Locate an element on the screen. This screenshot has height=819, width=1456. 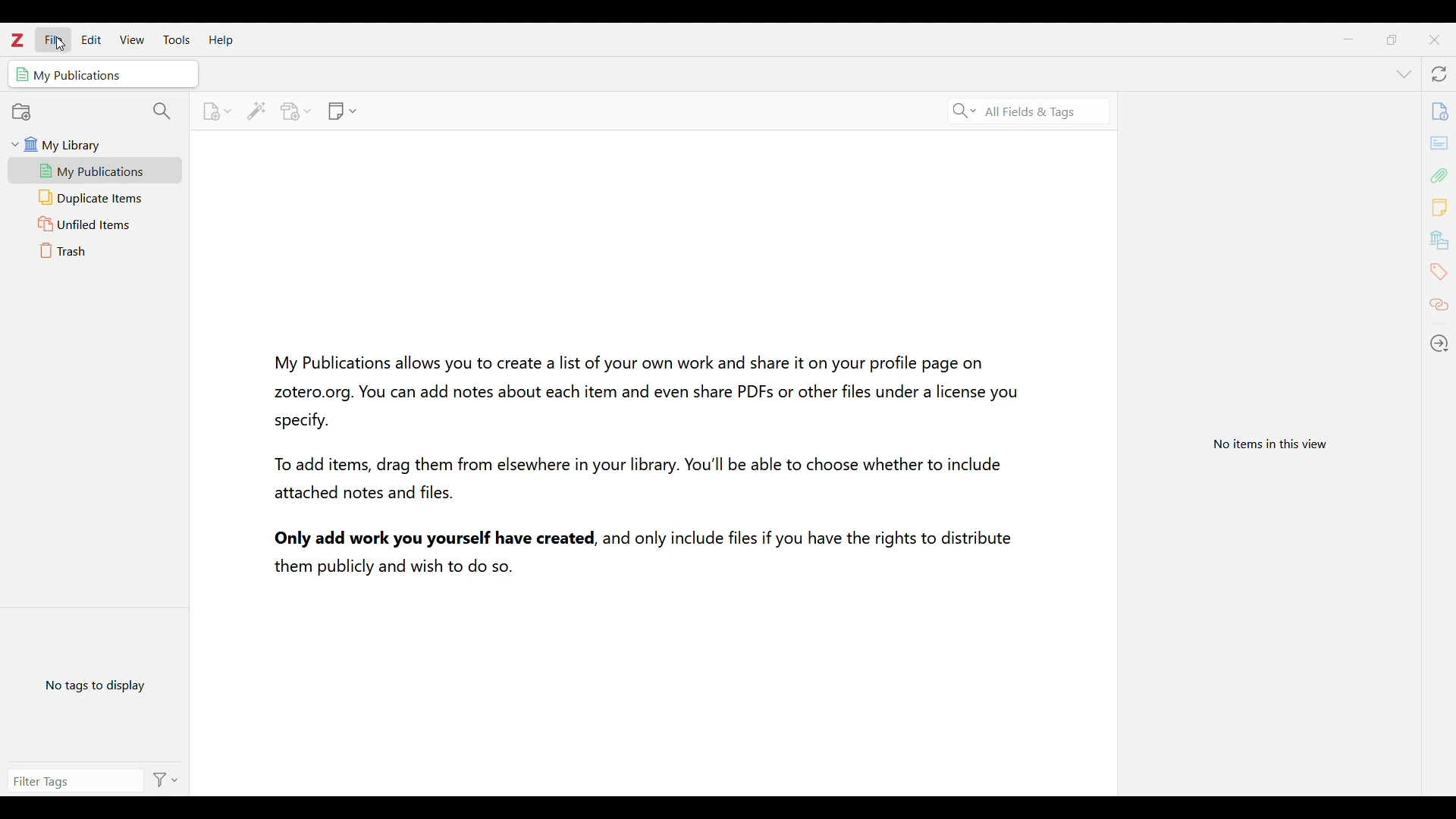
Options to add new item is located at coordinates (216, 111).